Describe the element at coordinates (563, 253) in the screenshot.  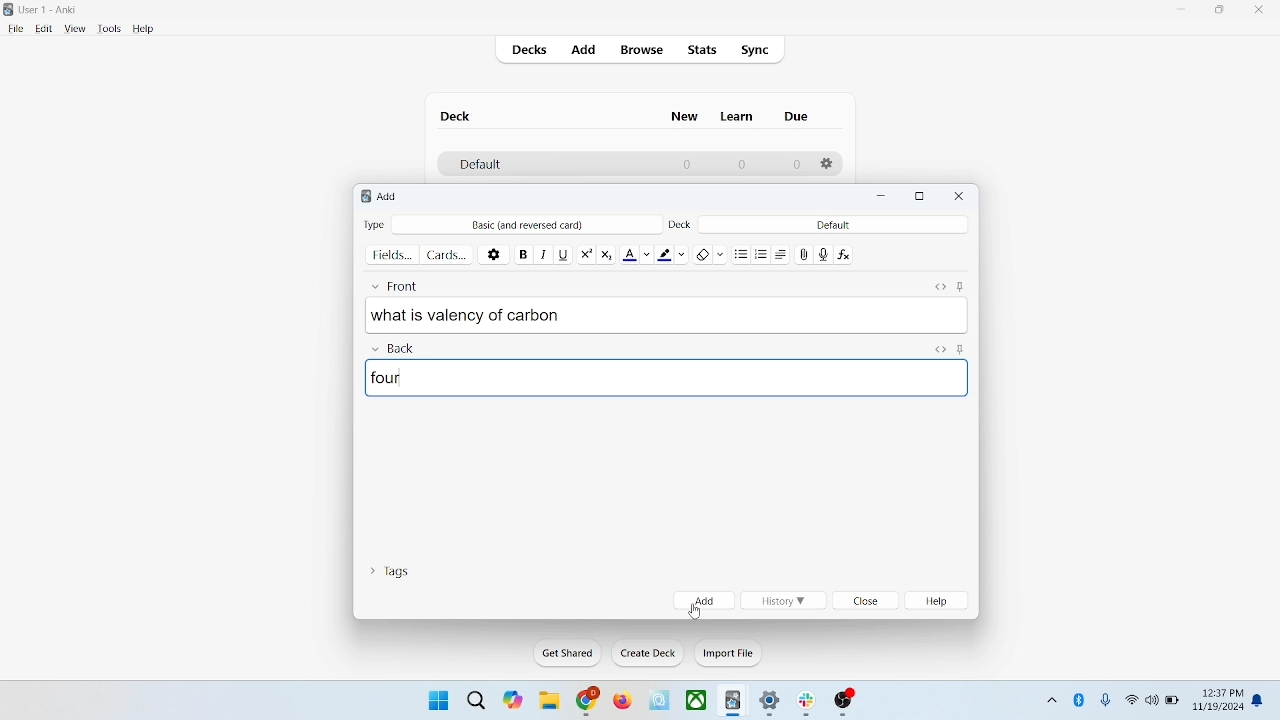
I see `underline` at that location.